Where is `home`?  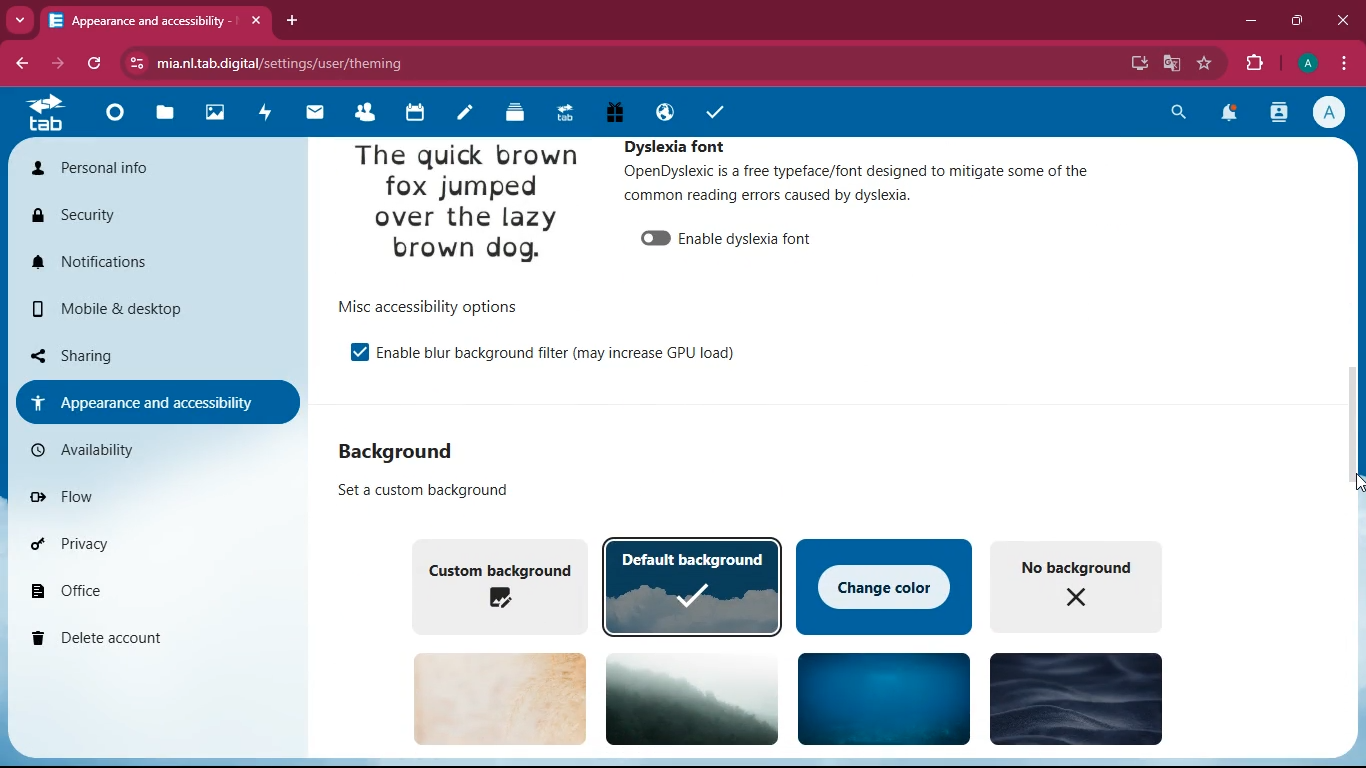
home is located at coordinates (112, 118).